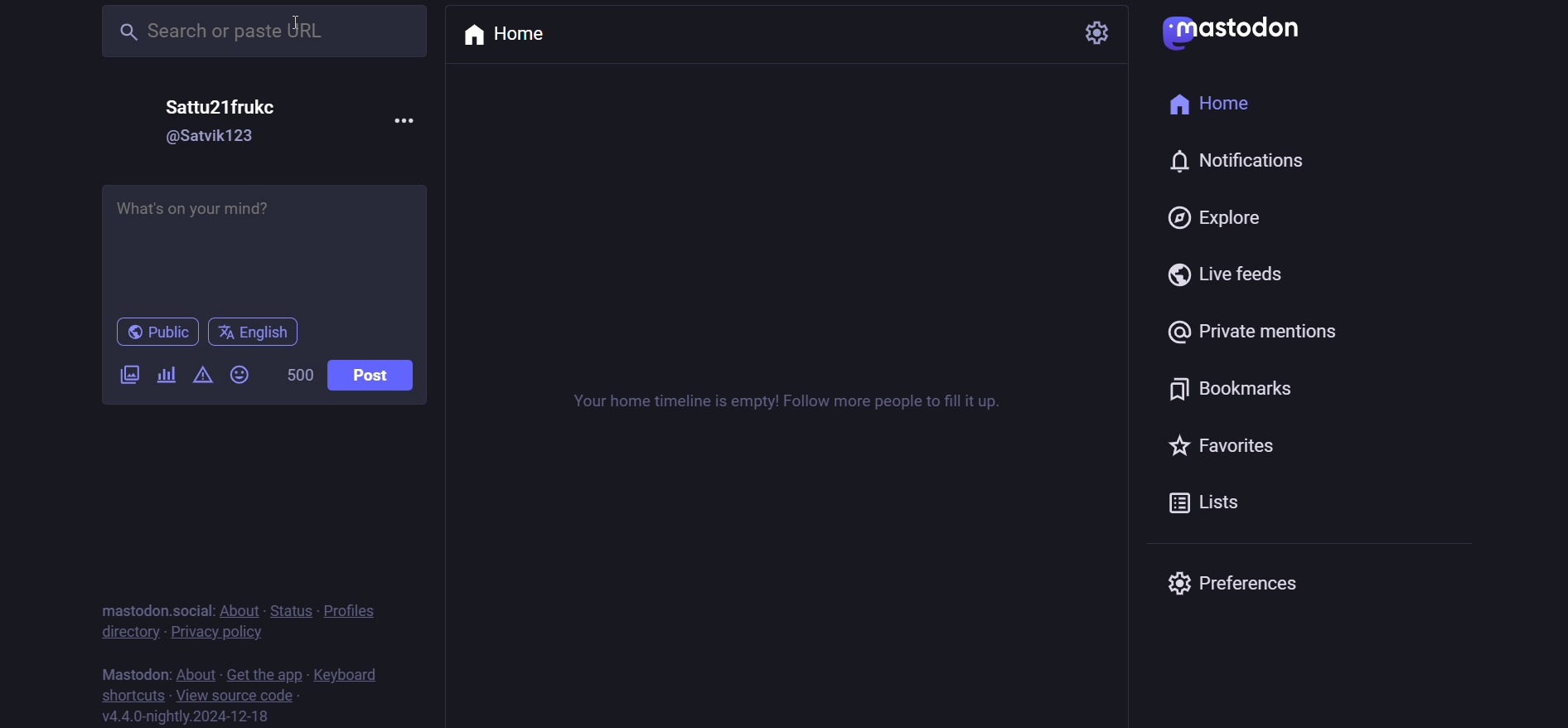 This screenshot has height=728, width=1568. Describe the element at coordinates (1209, 500) in the screenshot. I see `list` at that location.